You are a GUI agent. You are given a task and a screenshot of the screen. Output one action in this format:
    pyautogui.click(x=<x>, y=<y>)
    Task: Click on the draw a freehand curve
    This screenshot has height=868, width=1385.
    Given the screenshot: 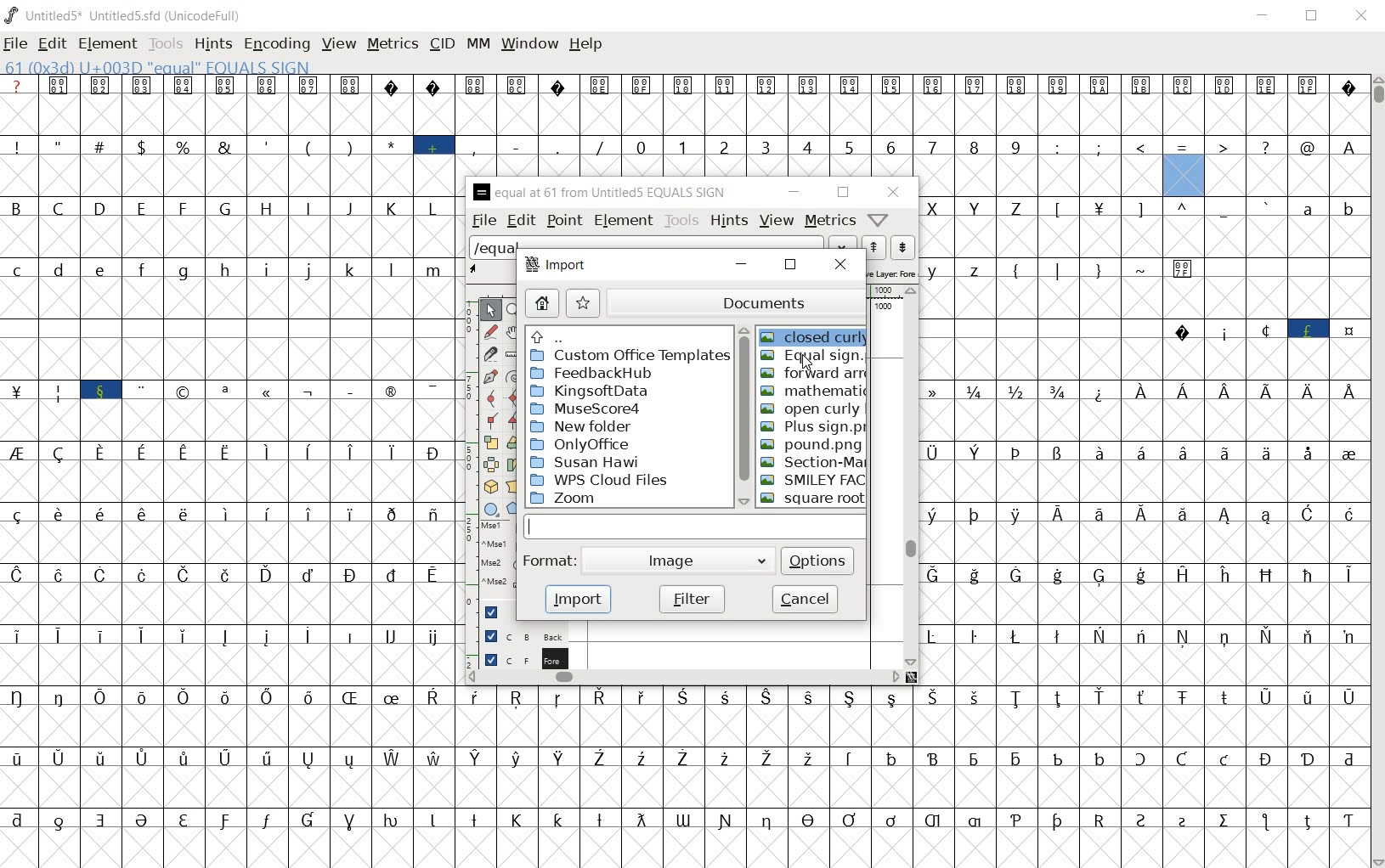 What is the action you would take?
    pyautogui.click(x=489, y=330)
    